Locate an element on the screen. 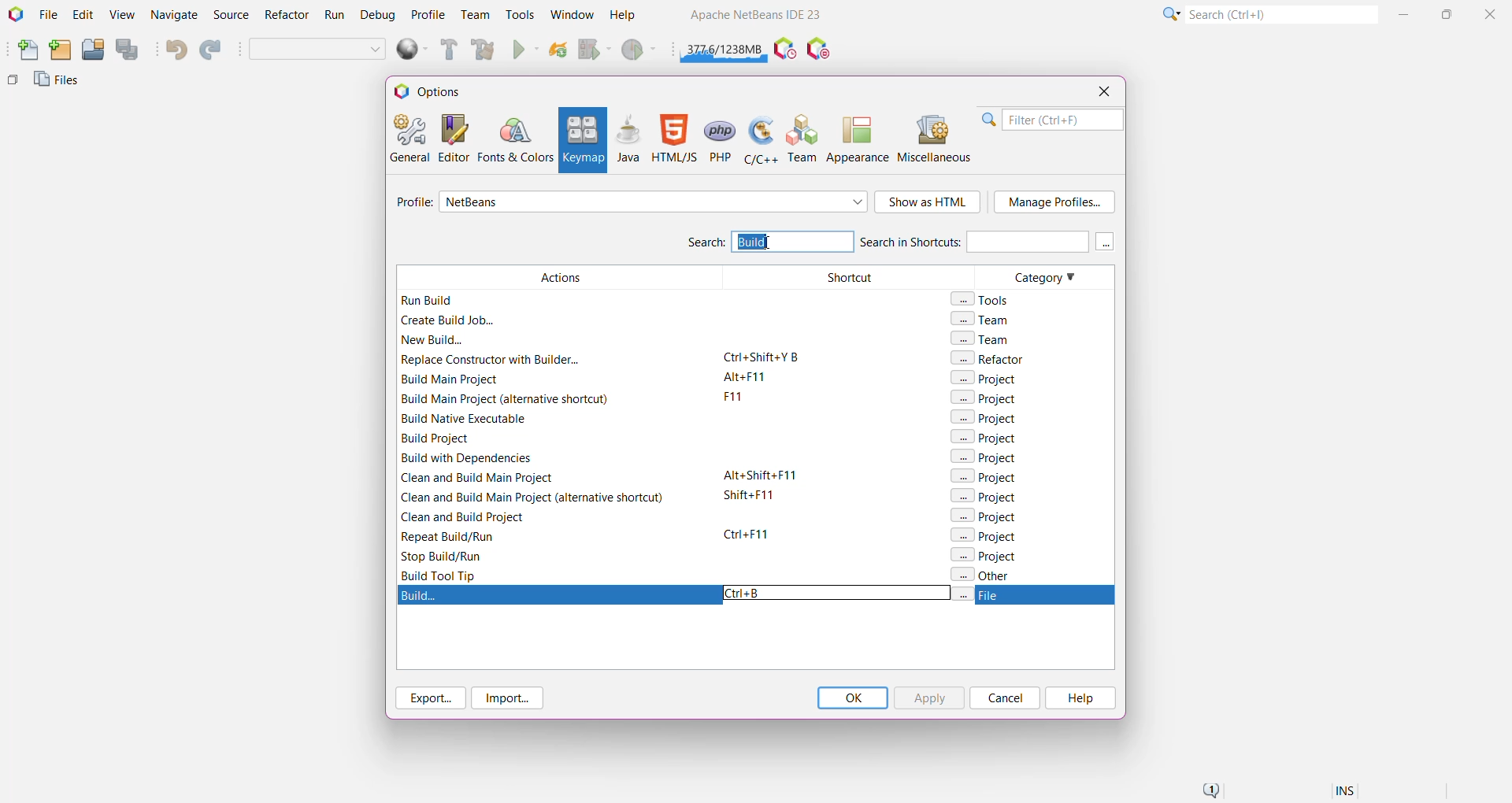  Vertical Scroll Bar is located at coordinates (1106, 424).